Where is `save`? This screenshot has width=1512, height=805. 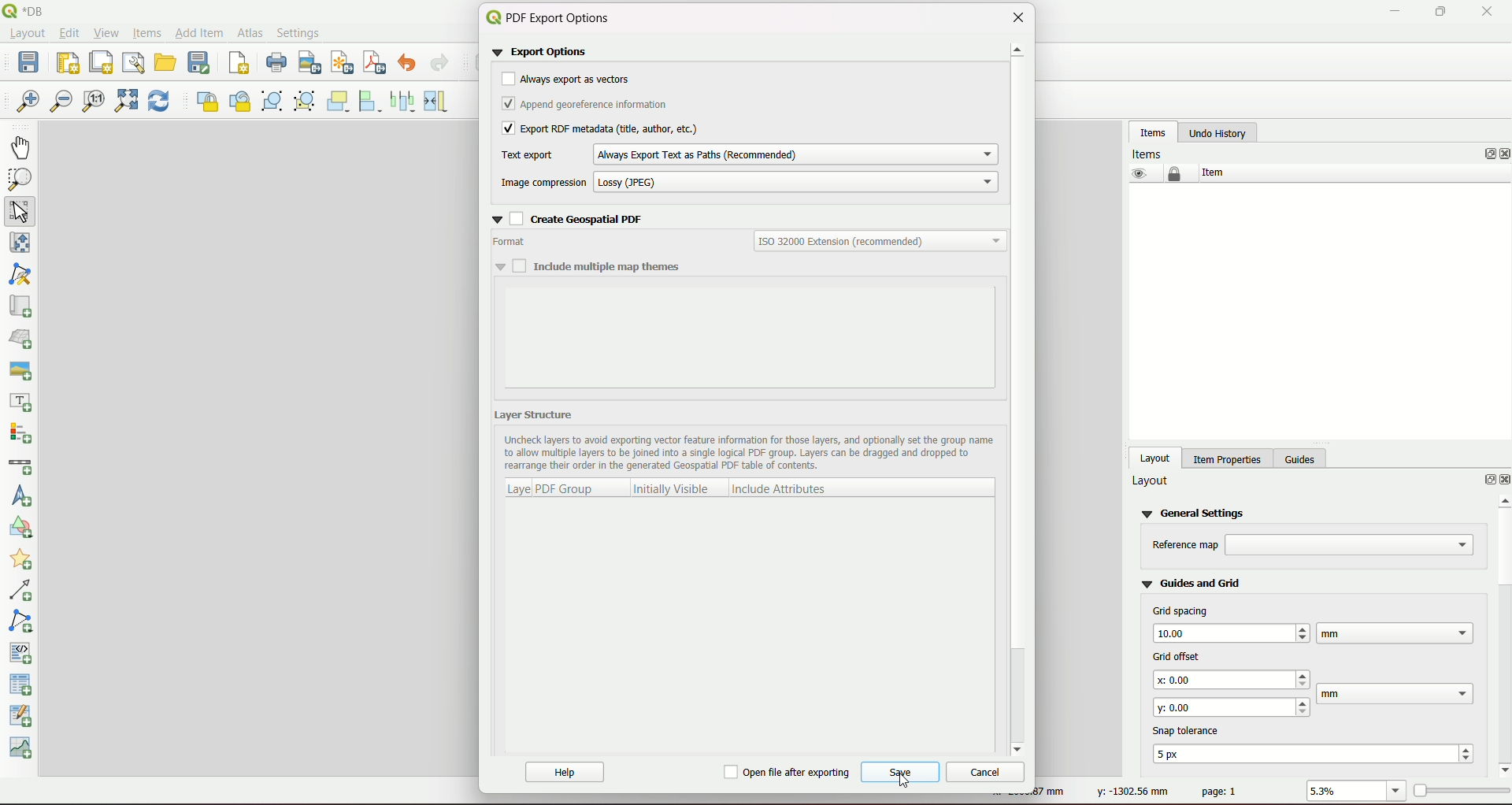
save is located at coordinates (899, 774).